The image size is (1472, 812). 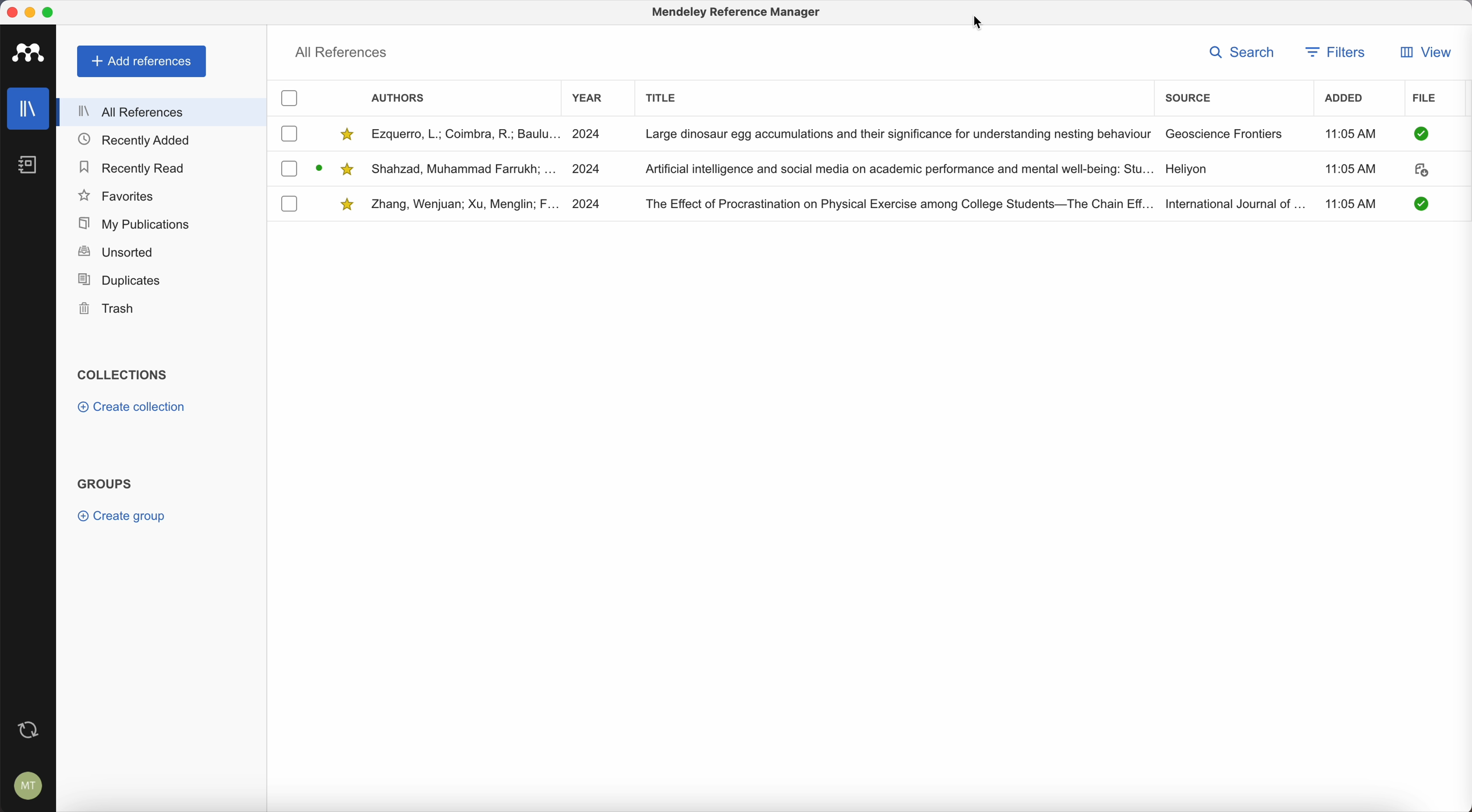 I want to click on The Effect of Procastination on phtysical exercise college students - The Chain Eff..., so click(x=898, y=202).